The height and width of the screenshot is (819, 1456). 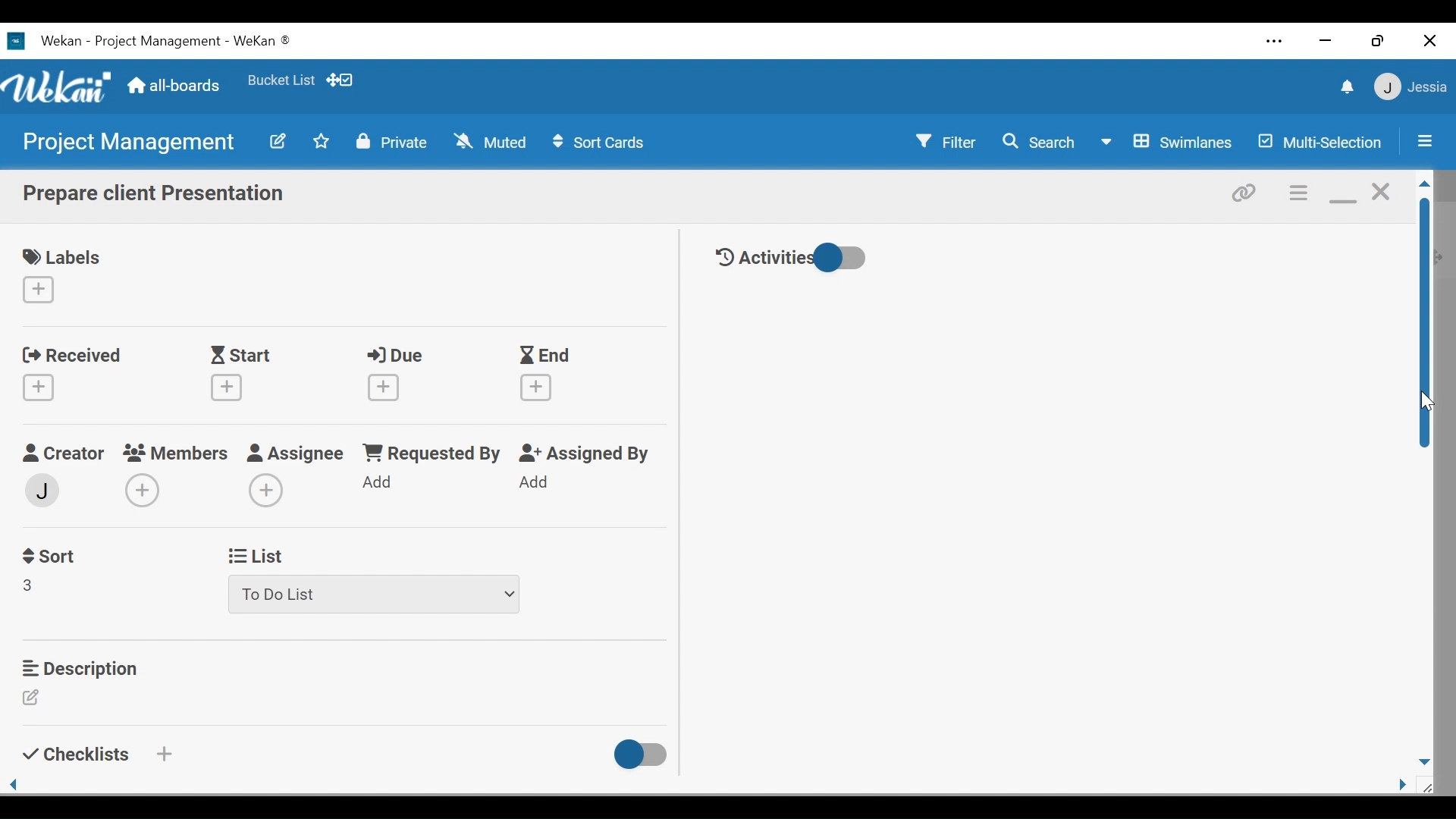 What do you see at coordinates (30, 700) in the screenshot?
I see `Edit` at bounding box center [30, 700].